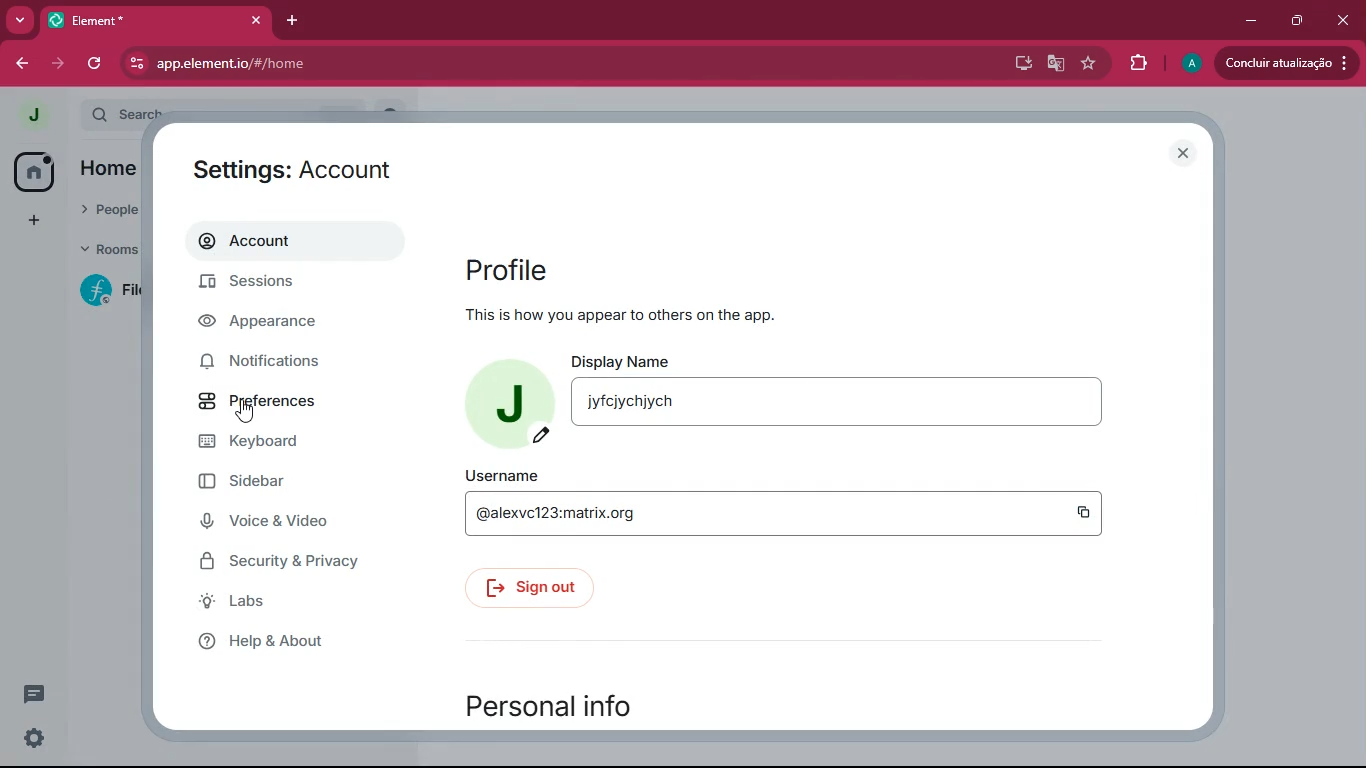  Describe the element at coordinates (291, 563) in the screenshot. I see `security & privacy` at that location.